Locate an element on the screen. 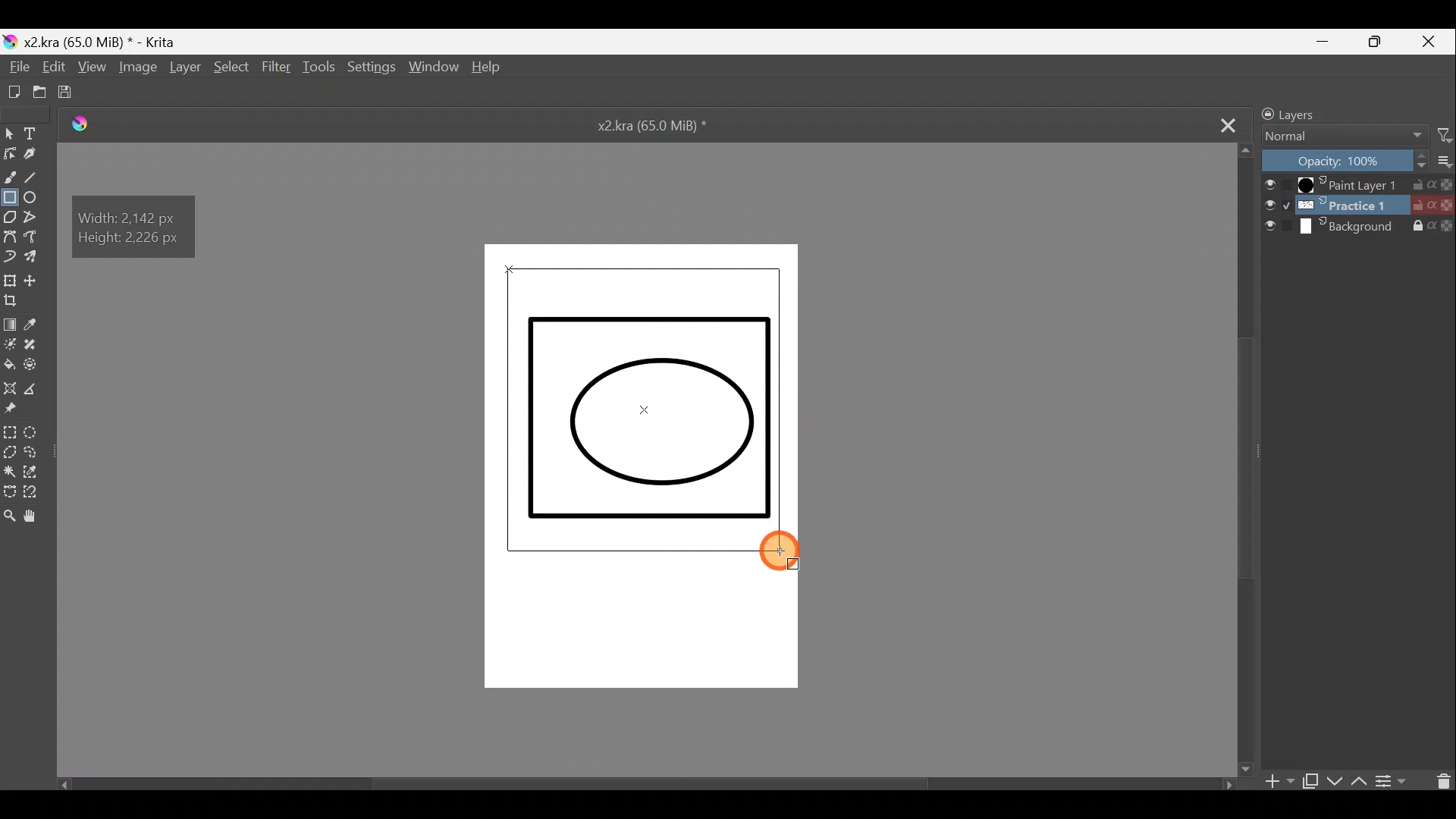  Enclose & fill tool is located at coordinates (37, 366).